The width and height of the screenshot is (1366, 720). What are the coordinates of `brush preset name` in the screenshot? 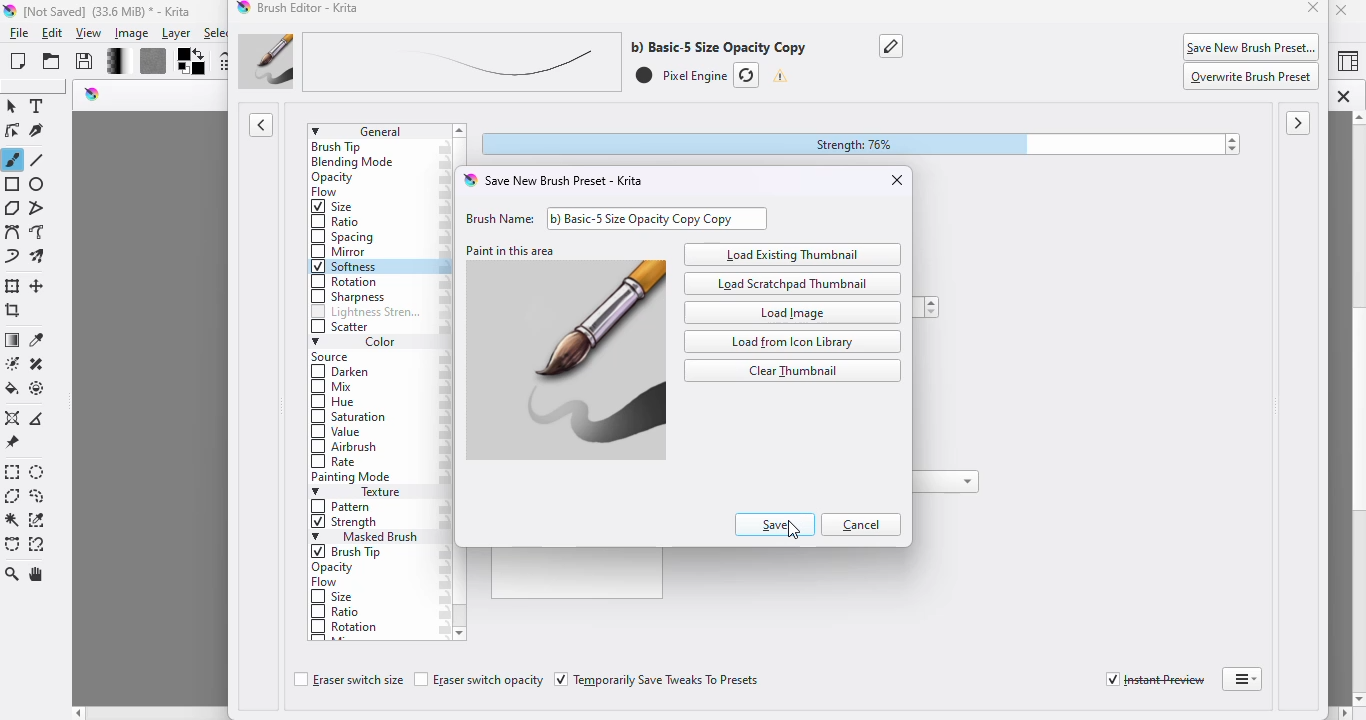 It's located at (522, 62).